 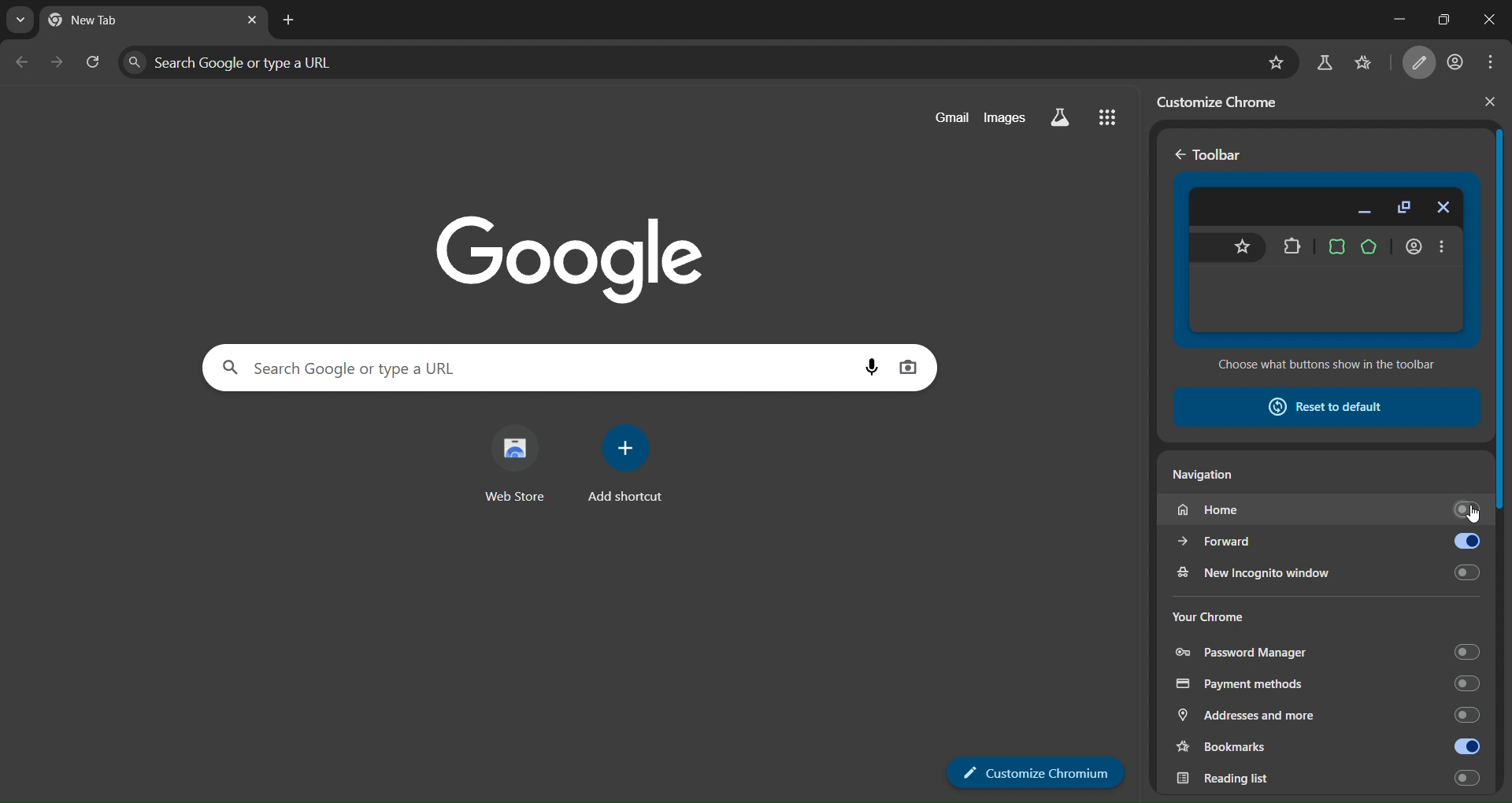 What do you see at coordinates (1210, 154) in the screenshot?
I see `Toolbar` at bounding box center [1210, 154].